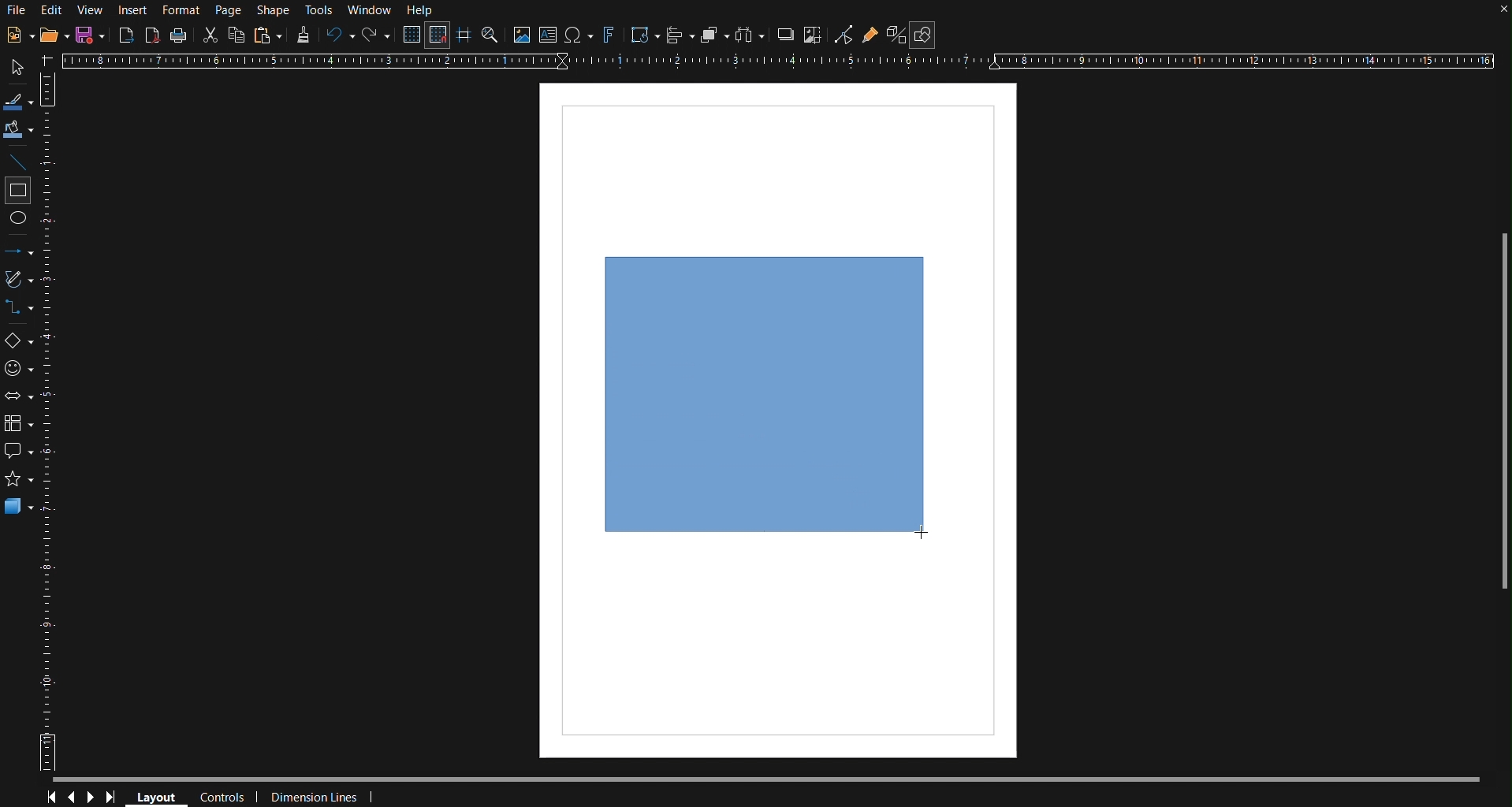 The image size is (1512, 807). What do you see at coordinates (870, 35) in the screenshot?
I see `Show Gluepoints` at bounding box center [870, 35].